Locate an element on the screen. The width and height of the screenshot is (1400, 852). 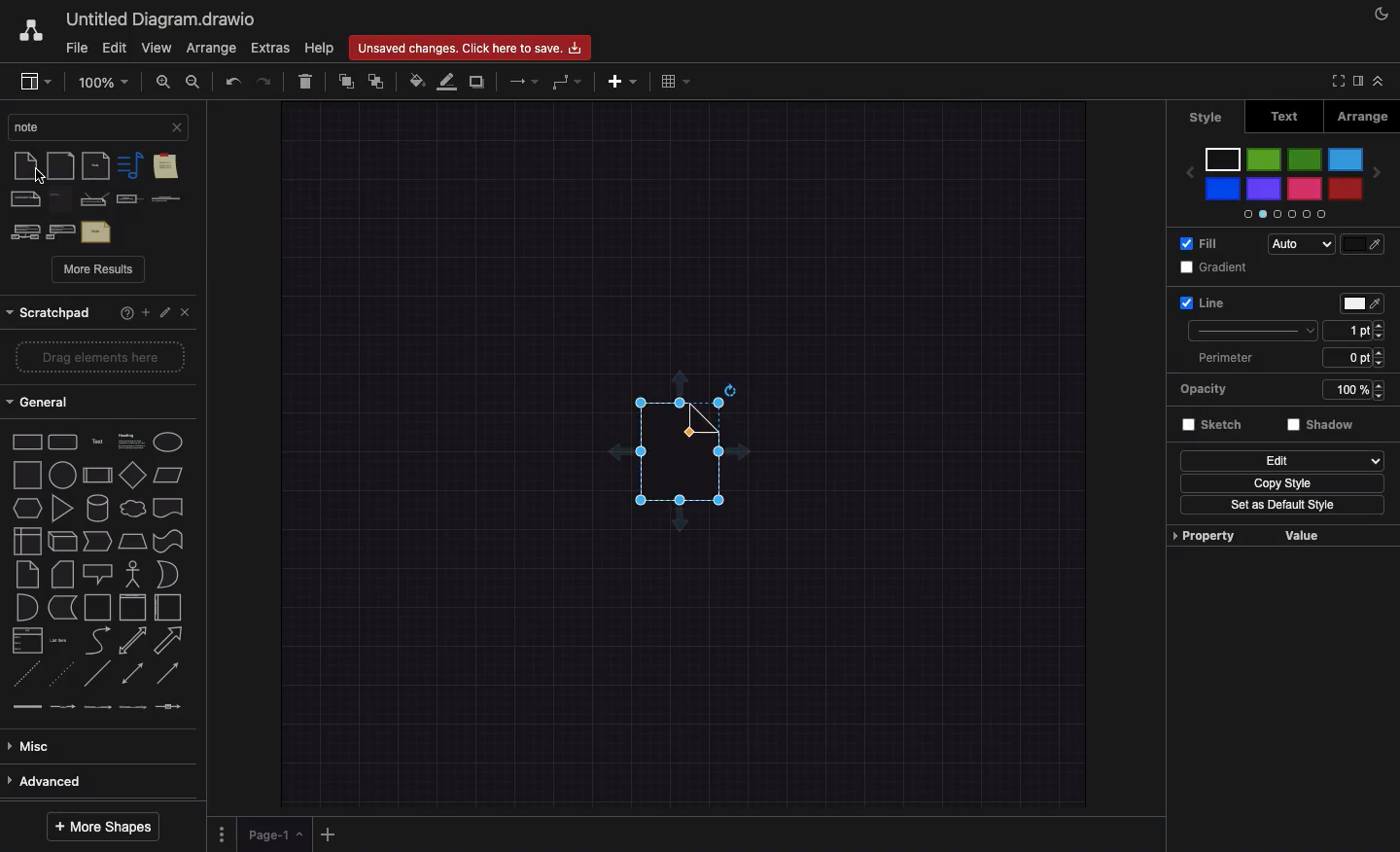
and is located at coordinates (170, 575).